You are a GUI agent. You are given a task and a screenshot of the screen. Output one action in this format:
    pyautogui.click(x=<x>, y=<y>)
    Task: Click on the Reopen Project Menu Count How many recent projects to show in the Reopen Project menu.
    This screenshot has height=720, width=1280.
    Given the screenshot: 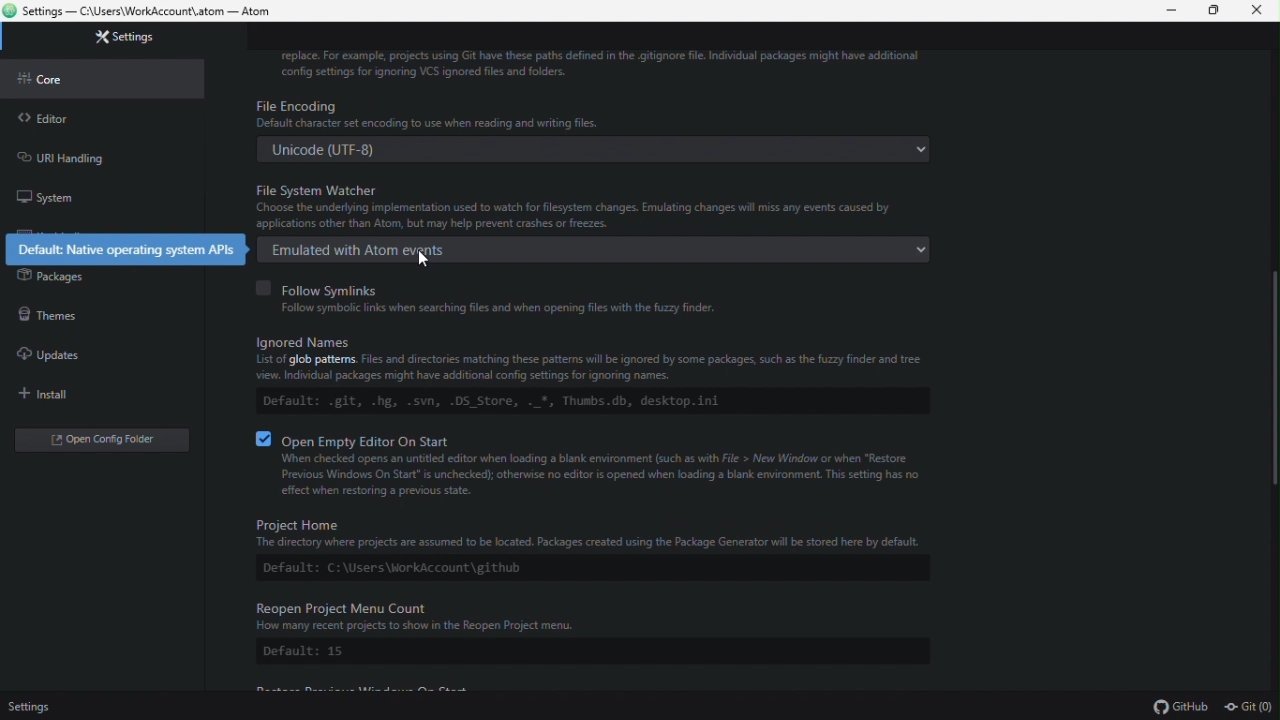 What is the action you would take?
    pyautogui.click(x=579, y=615)
    